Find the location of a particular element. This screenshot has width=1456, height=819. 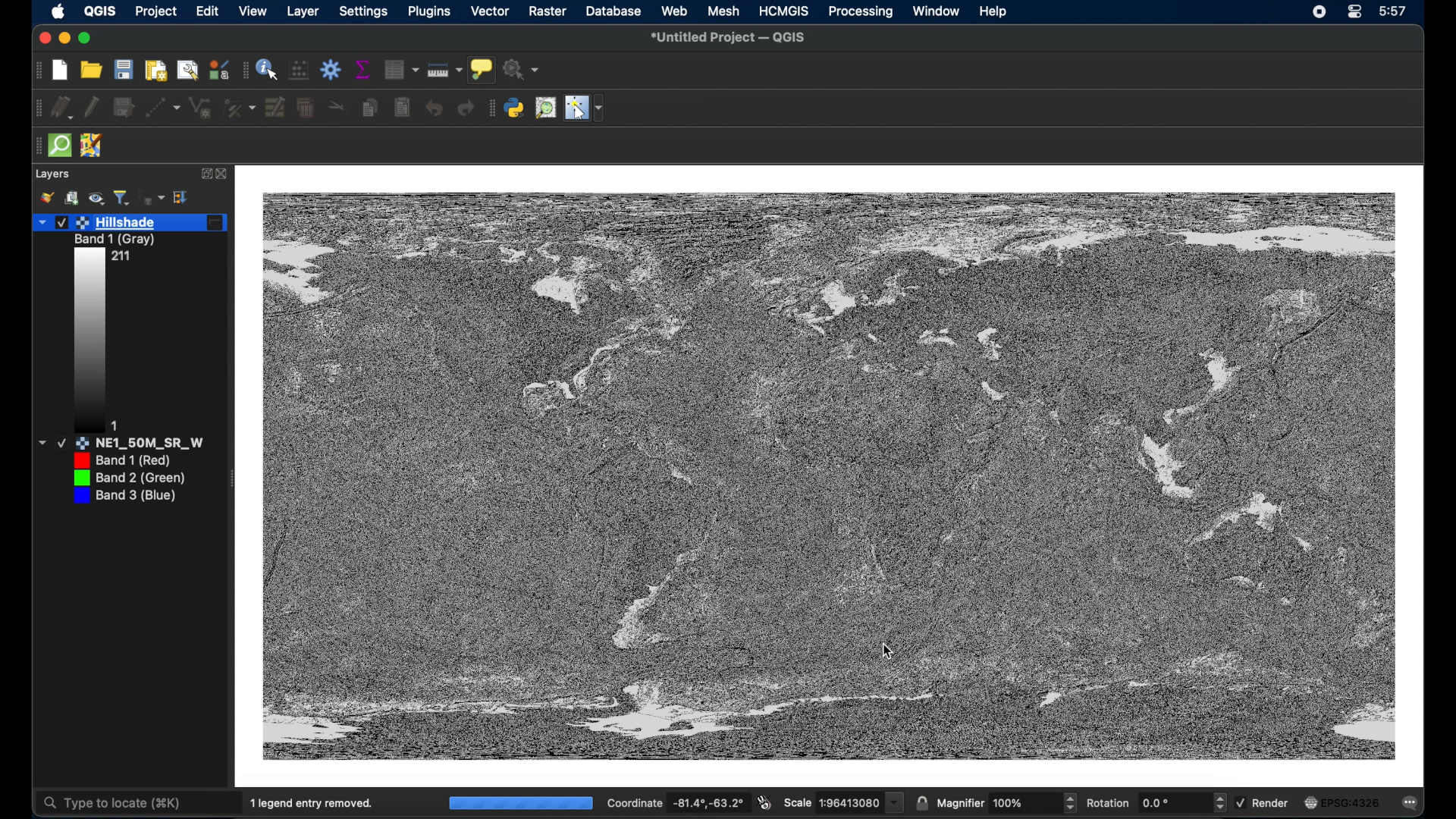

lock scale is located at coordinates (921, 804).